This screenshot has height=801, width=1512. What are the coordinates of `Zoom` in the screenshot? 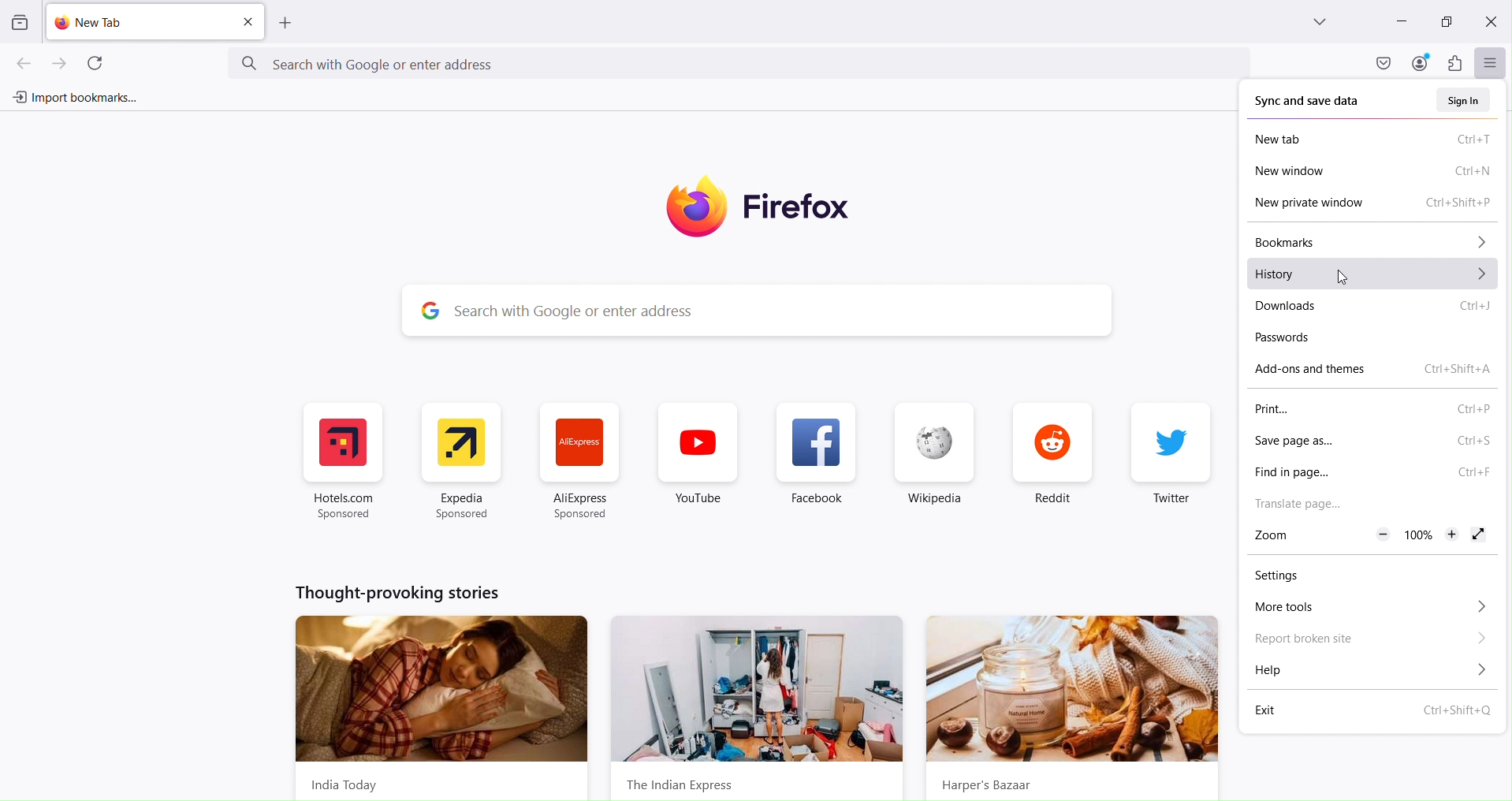 It's located at (1276, 536).